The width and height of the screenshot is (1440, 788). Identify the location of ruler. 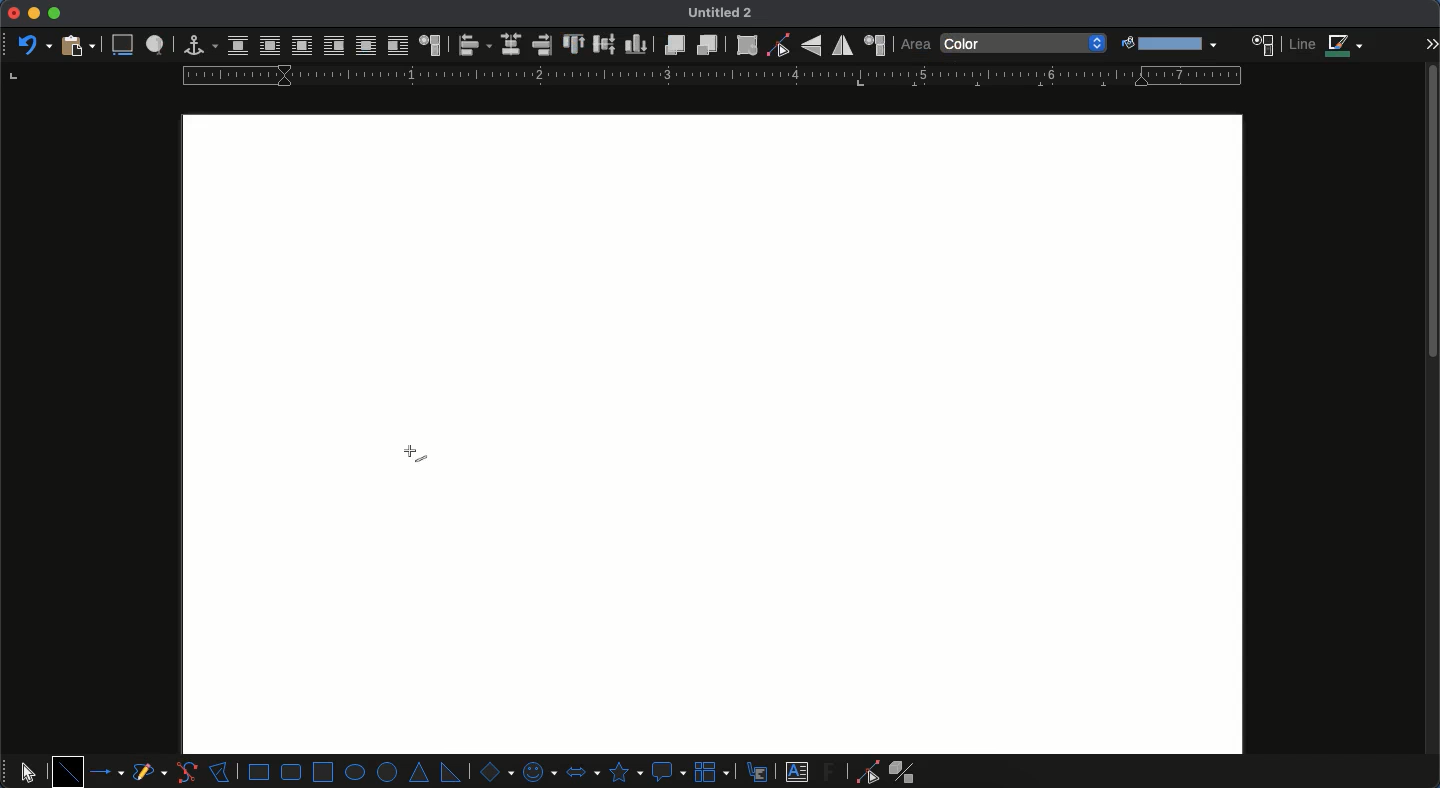
(707, 76).